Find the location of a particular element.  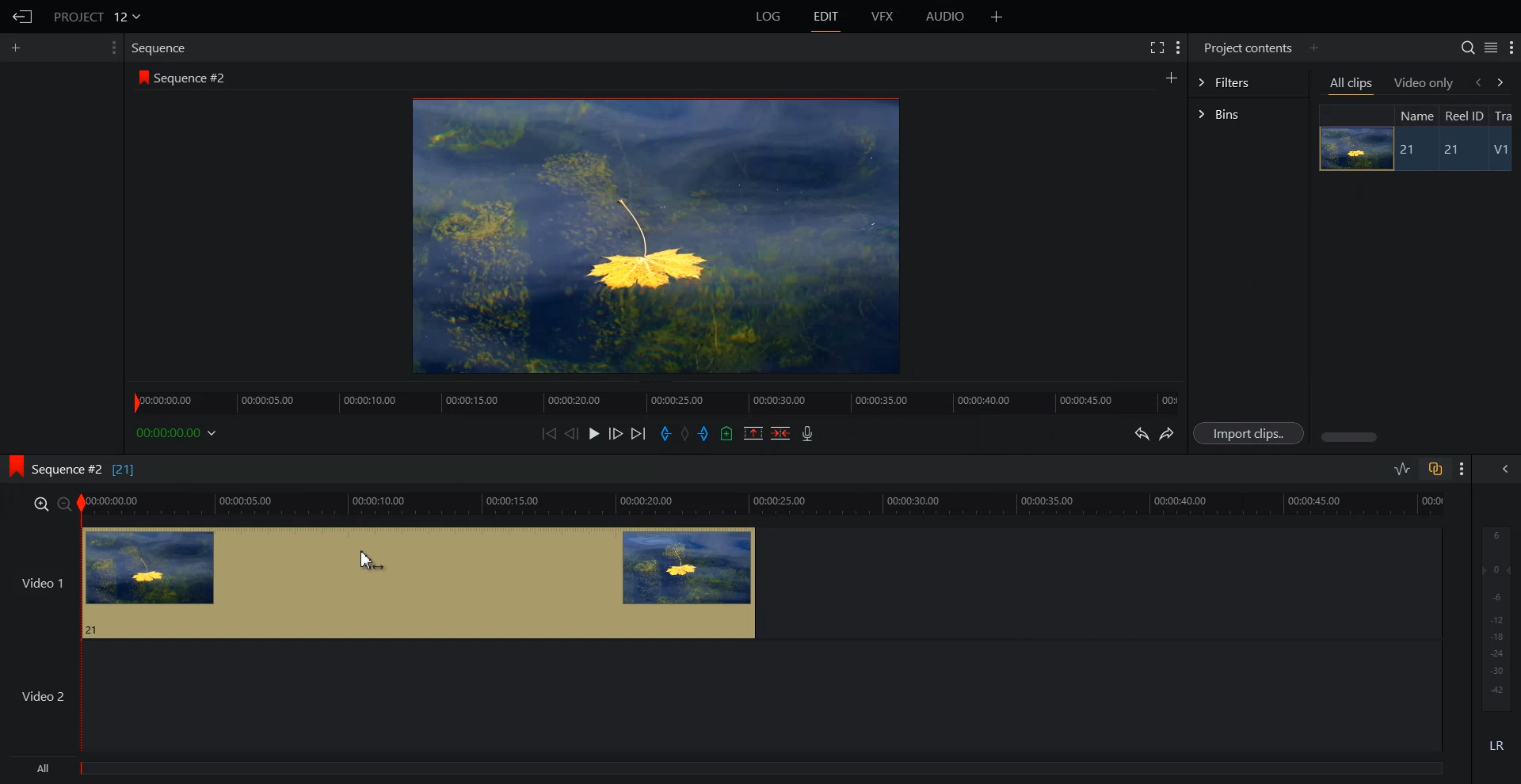

V1 is located at coordinates (1503, 151).